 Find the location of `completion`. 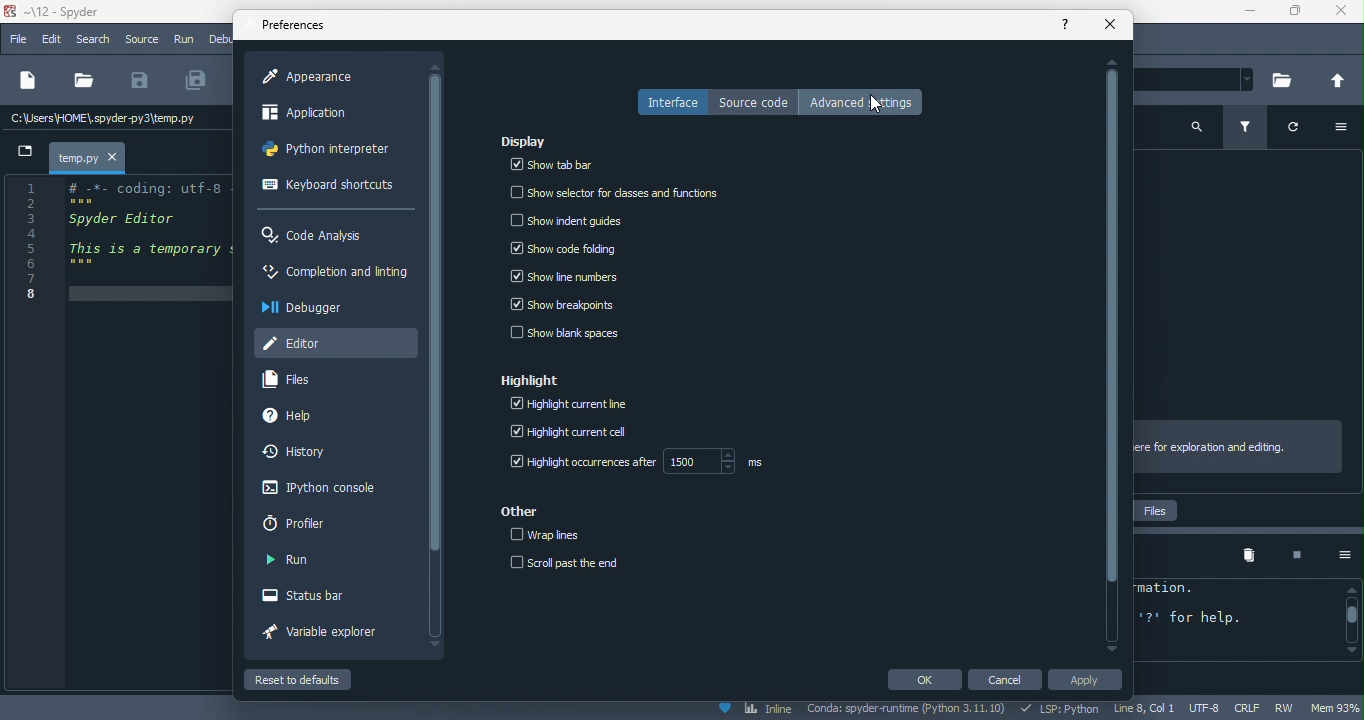

completion is located at coordinates (334, 275).